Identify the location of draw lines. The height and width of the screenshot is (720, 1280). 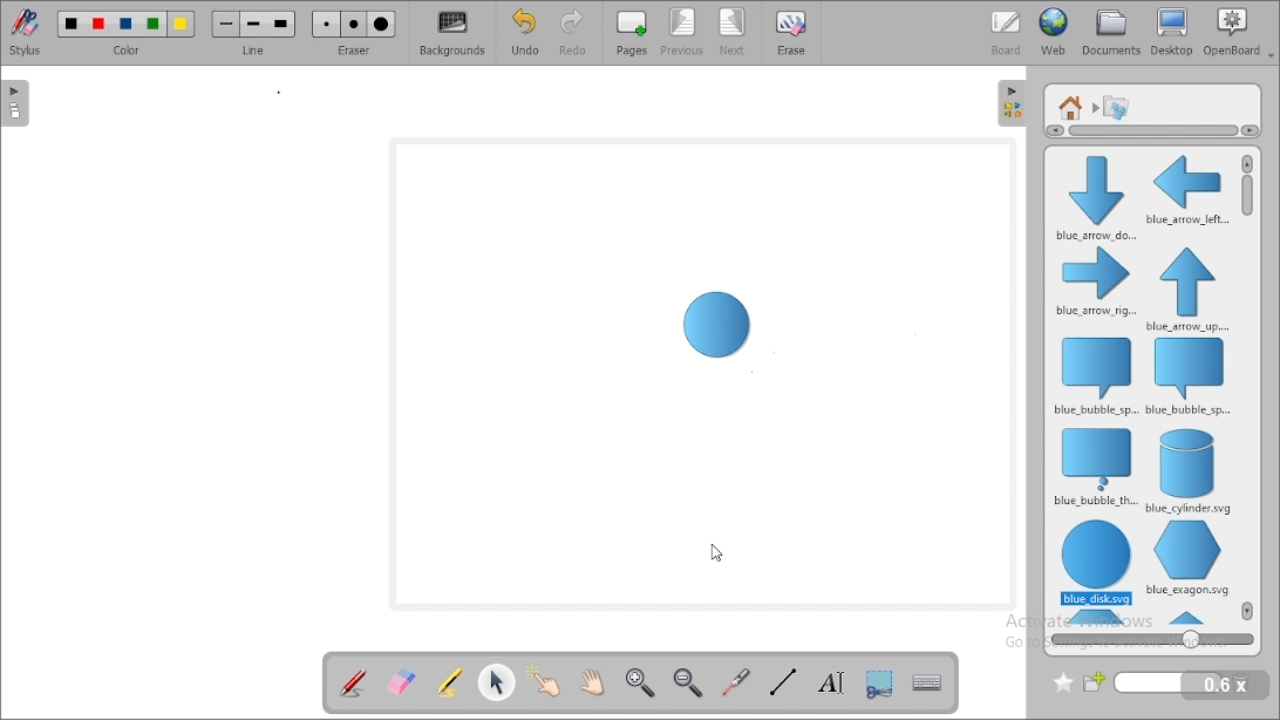
(782, 682).